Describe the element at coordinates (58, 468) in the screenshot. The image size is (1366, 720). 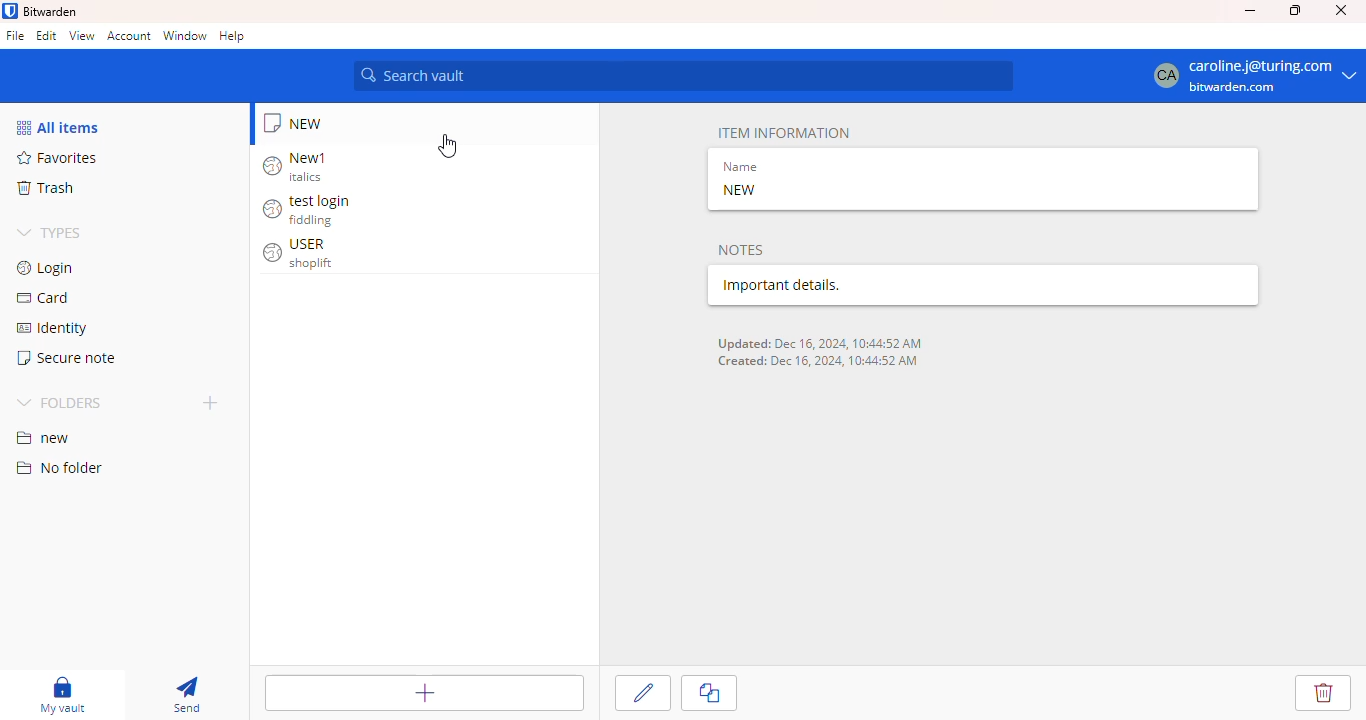
I see `no folder` at that location.